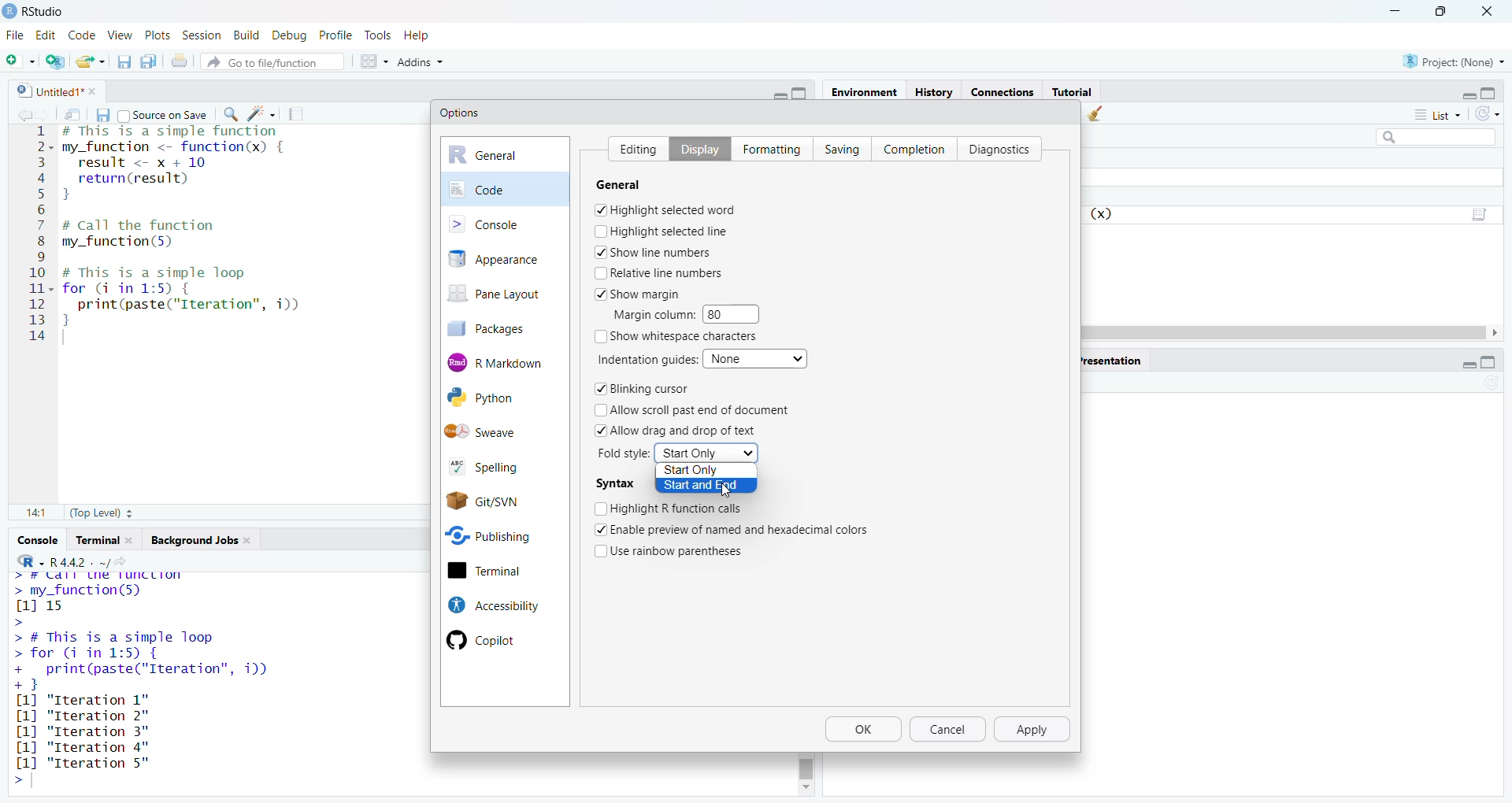 The width and height of the screenshot is (1512, 803). Describe the element at coordinates (80, 747) in the screenshot. I see `[1] "Iteration 3"` at that location.